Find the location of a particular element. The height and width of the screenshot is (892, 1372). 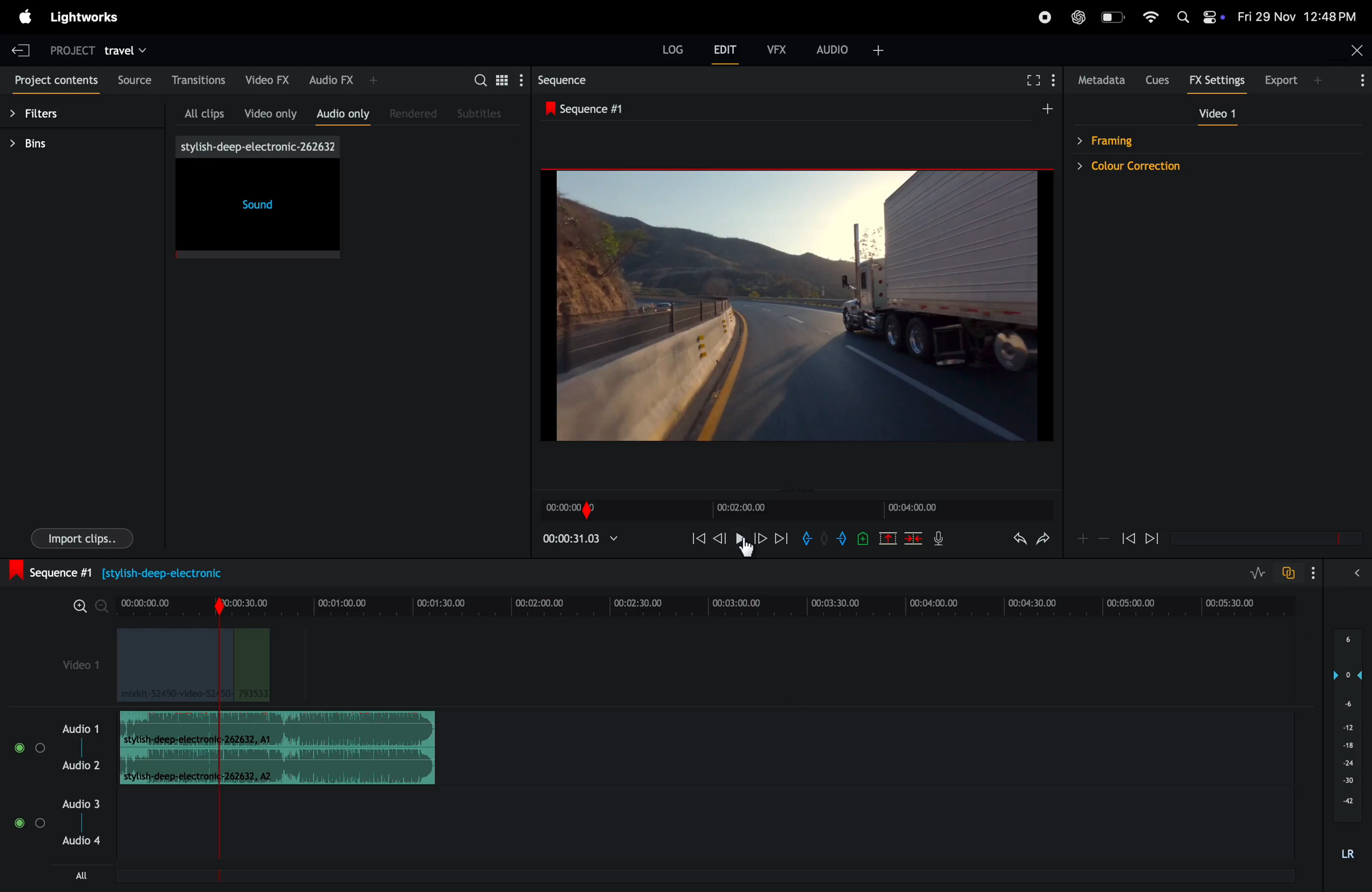

play back screen is located at coordinates (789, 307).